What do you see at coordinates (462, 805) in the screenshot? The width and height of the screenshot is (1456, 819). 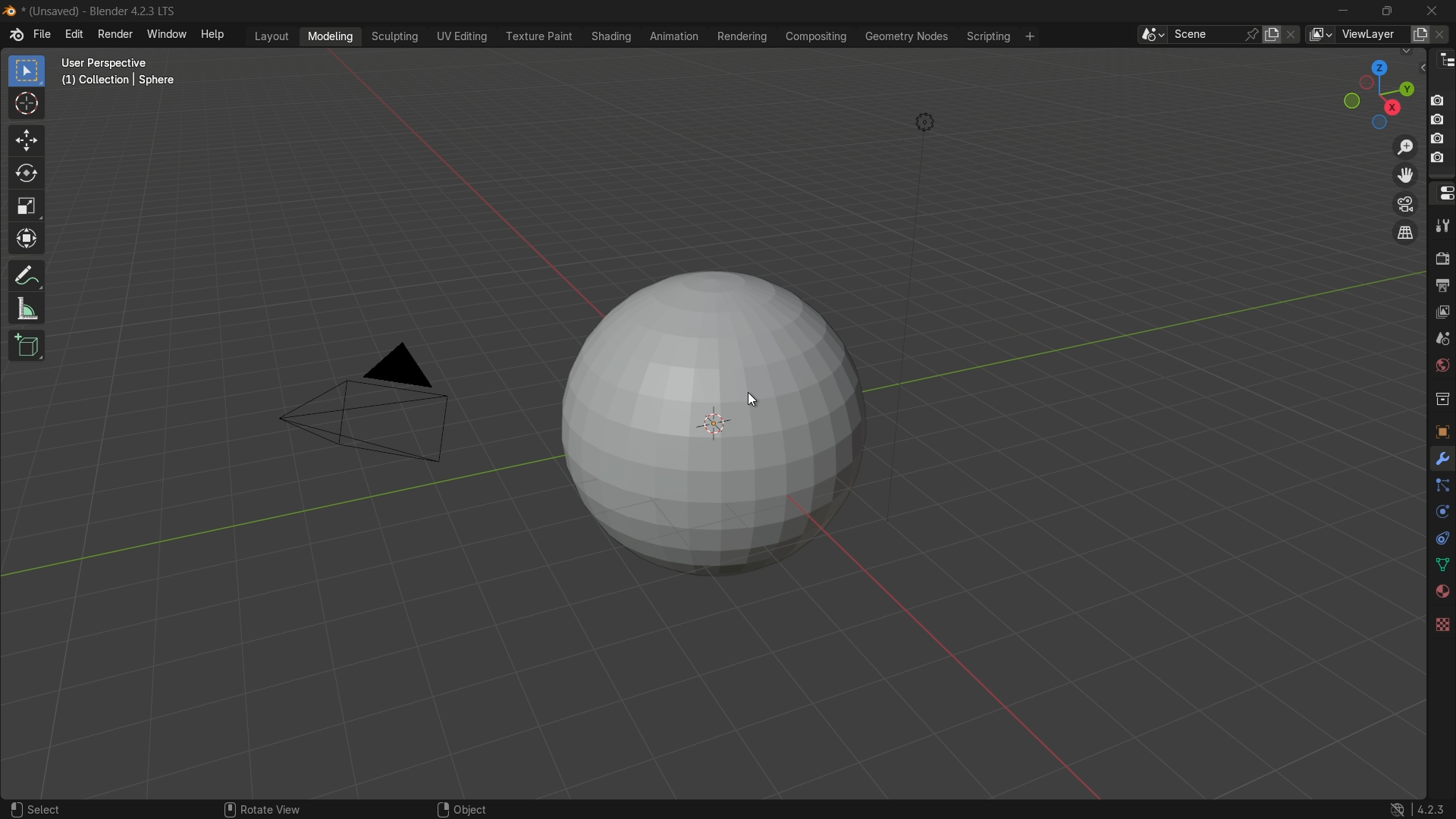 I see `object` at bounding box center [462, 805].